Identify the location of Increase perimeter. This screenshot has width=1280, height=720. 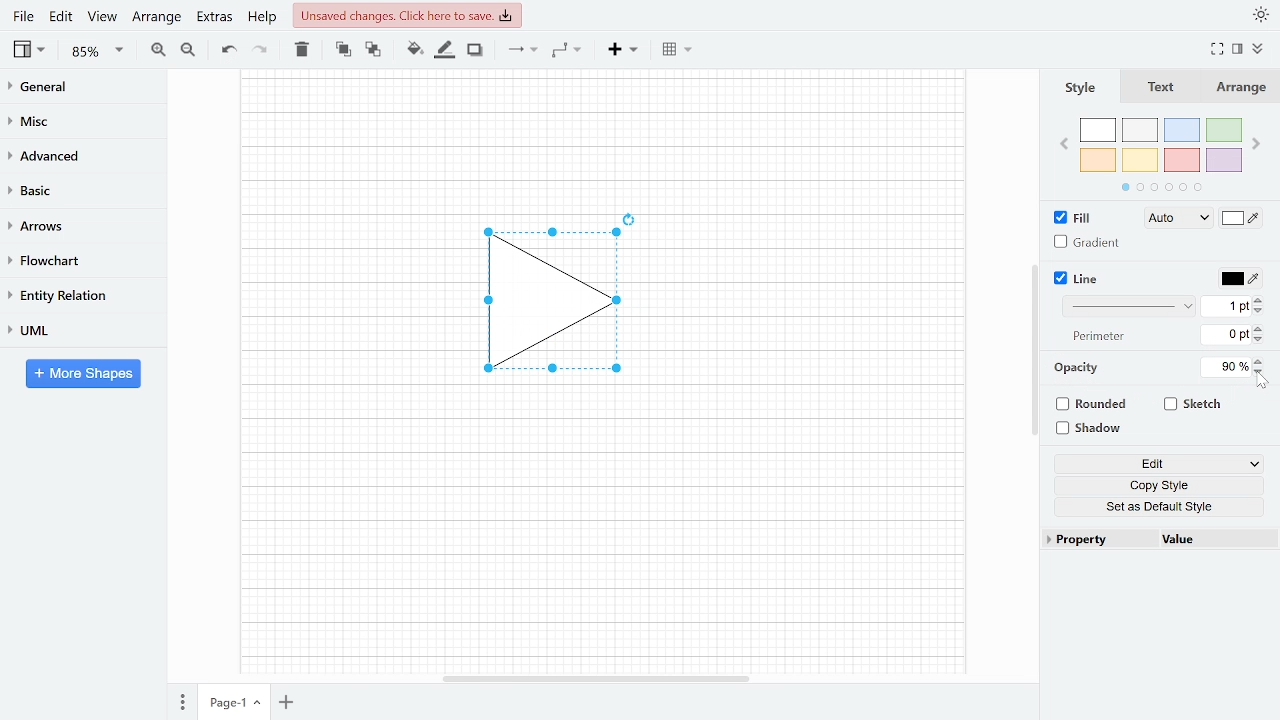
(1261, 329).